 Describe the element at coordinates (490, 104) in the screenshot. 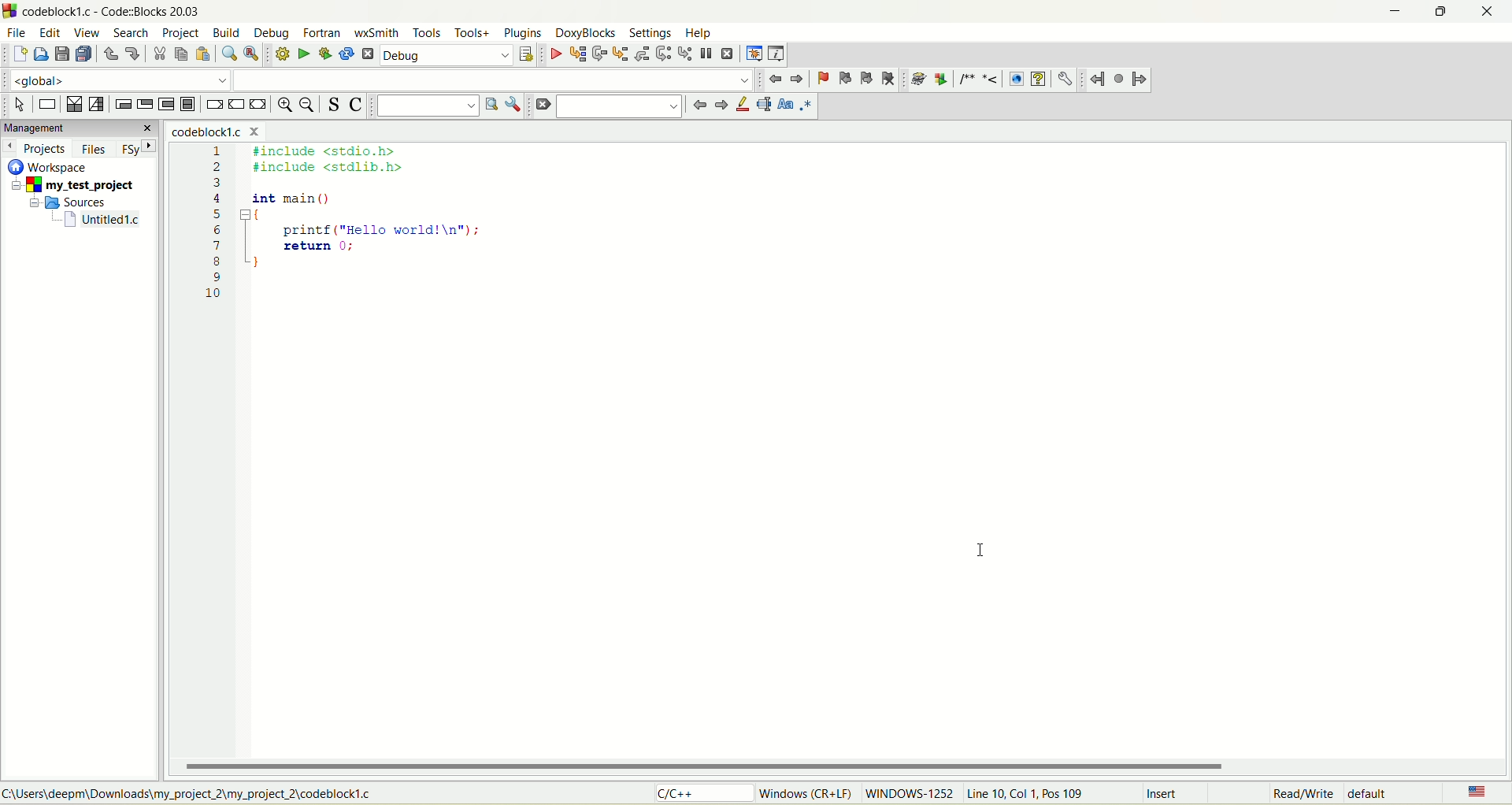

I see `run search` at that location.